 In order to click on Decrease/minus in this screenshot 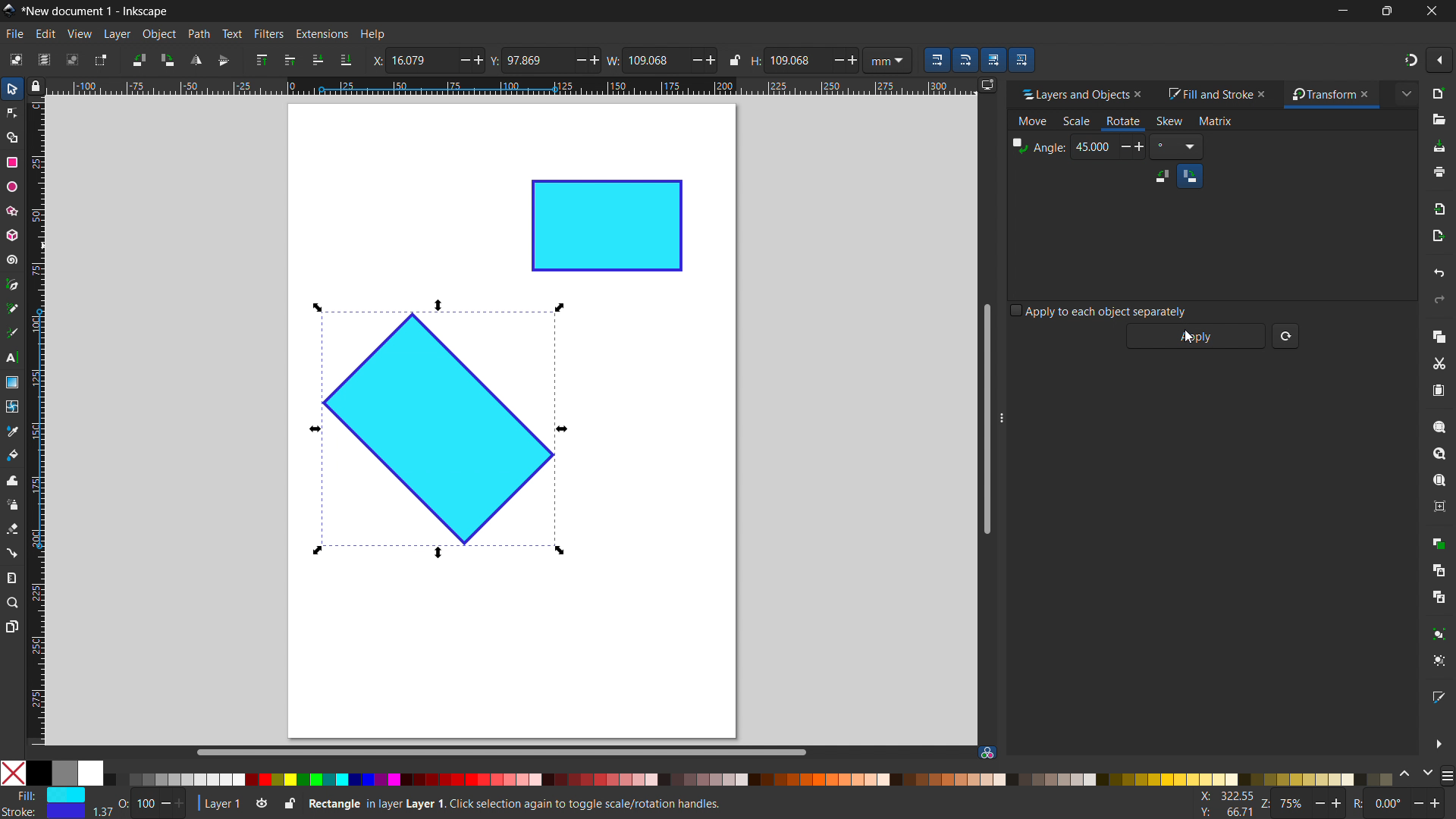, I will do `click(691, 59)`.